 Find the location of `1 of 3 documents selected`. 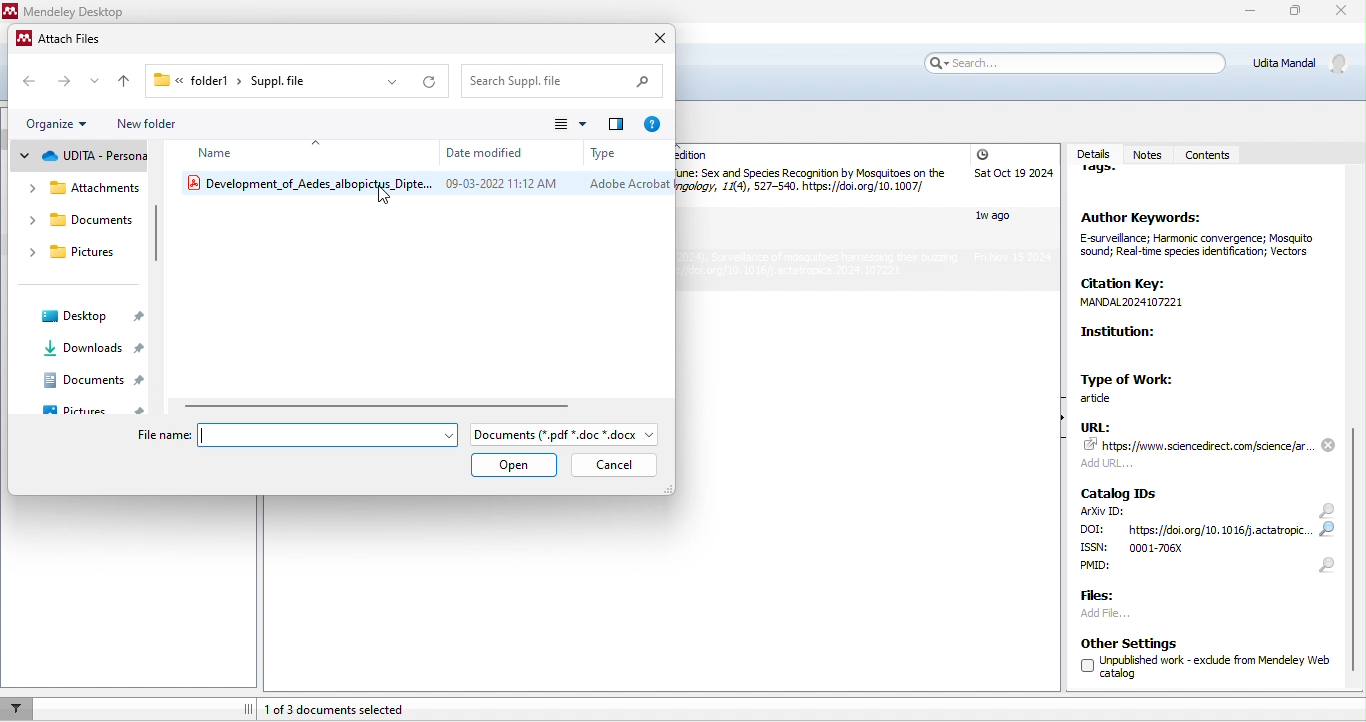

1 of 3 documents selected is located at coordinates (360, 708).